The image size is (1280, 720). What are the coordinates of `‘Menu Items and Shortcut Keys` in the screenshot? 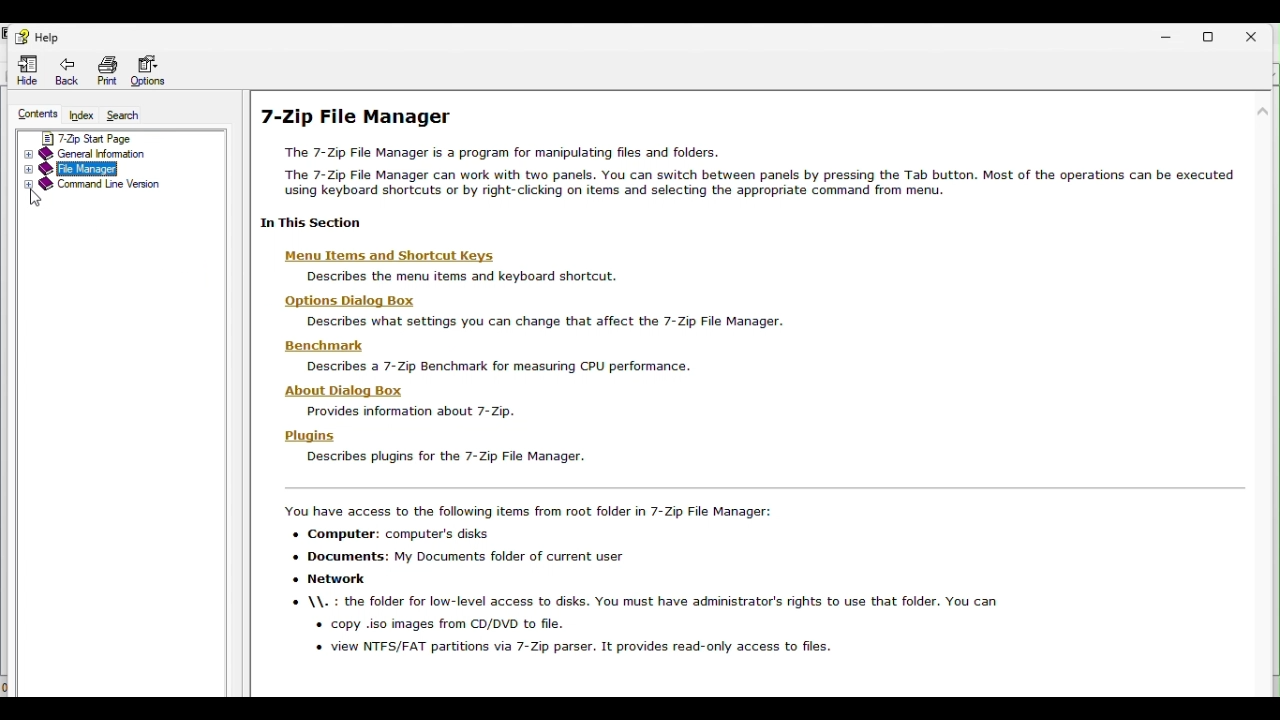 It's located at (403, 256).